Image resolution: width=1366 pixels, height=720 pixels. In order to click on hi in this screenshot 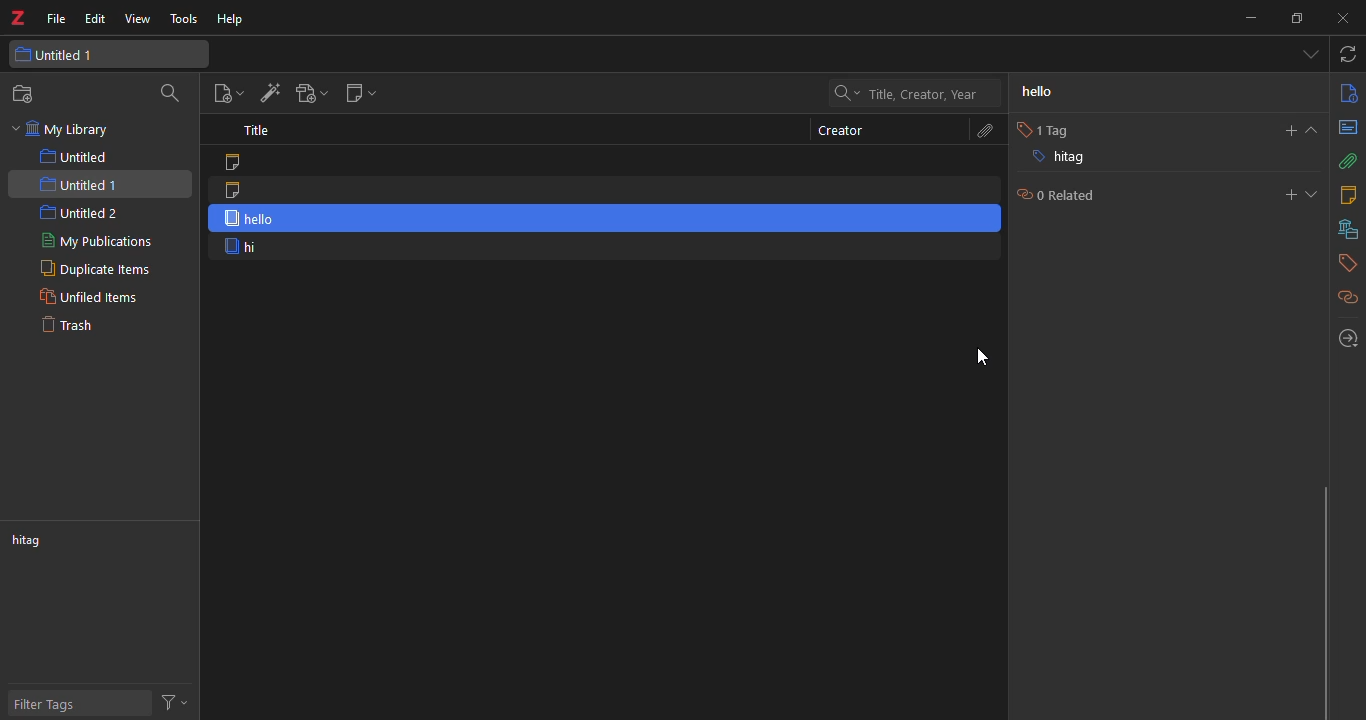, I will do `click(243, 247)`.